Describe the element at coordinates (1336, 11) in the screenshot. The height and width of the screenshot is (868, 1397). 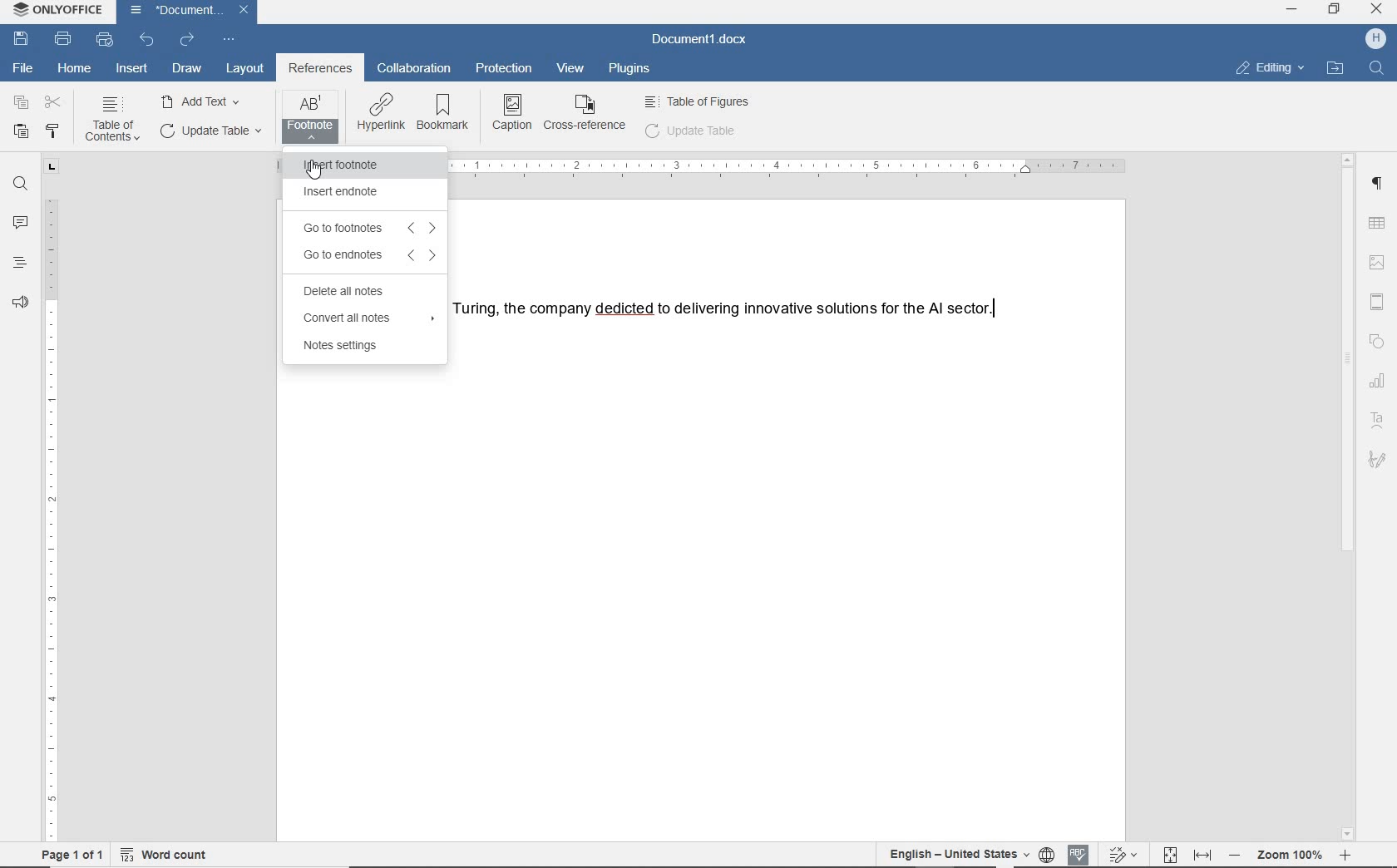
I see `RESTORE DOWN` at that location.